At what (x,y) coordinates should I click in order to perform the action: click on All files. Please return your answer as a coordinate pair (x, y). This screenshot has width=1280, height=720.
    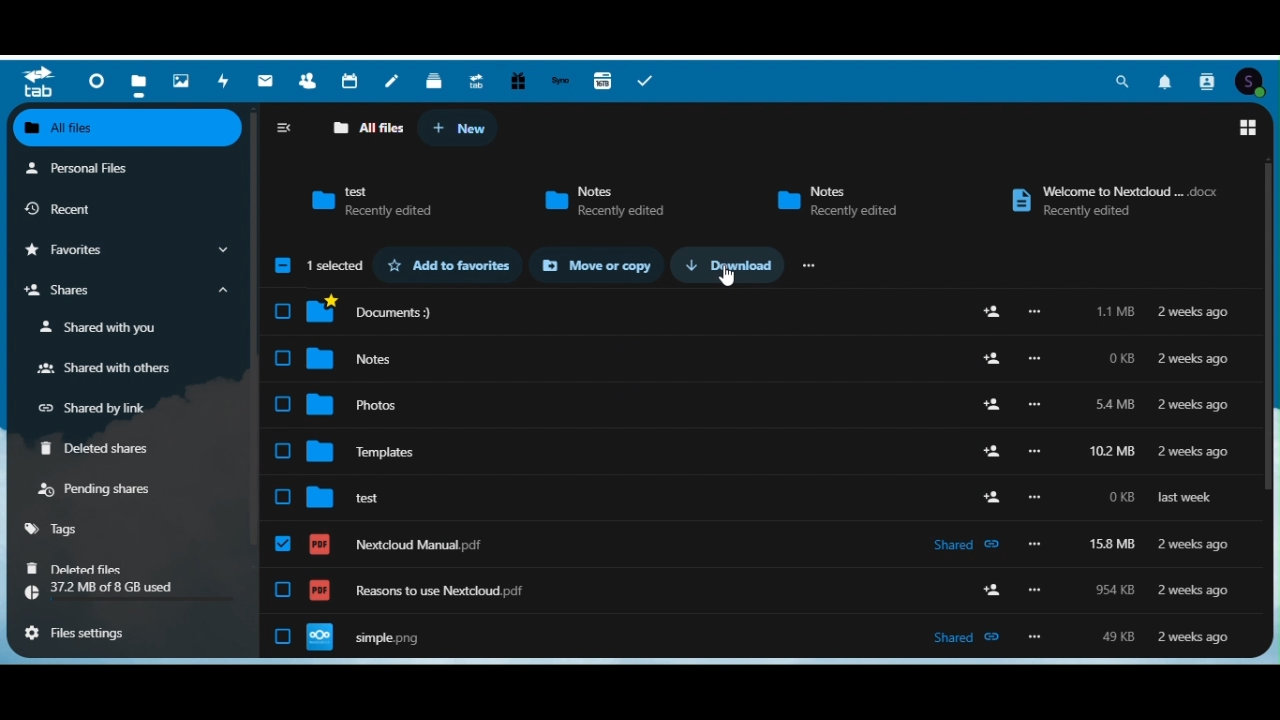
    Looking at the image, I should click on (131, 128).